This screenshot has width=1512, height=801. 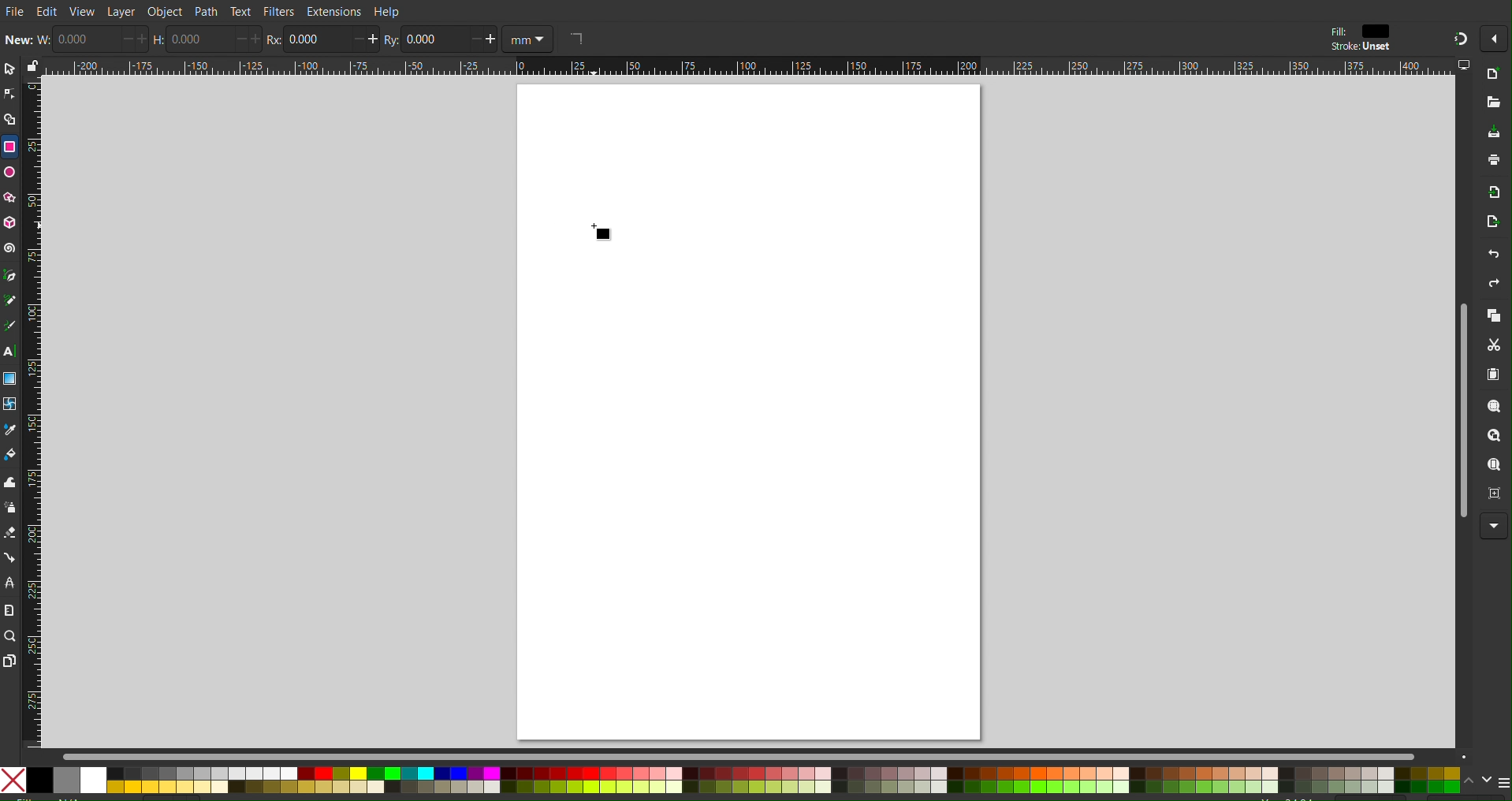 I want to click on Color Options, so click(x=732, y=781).